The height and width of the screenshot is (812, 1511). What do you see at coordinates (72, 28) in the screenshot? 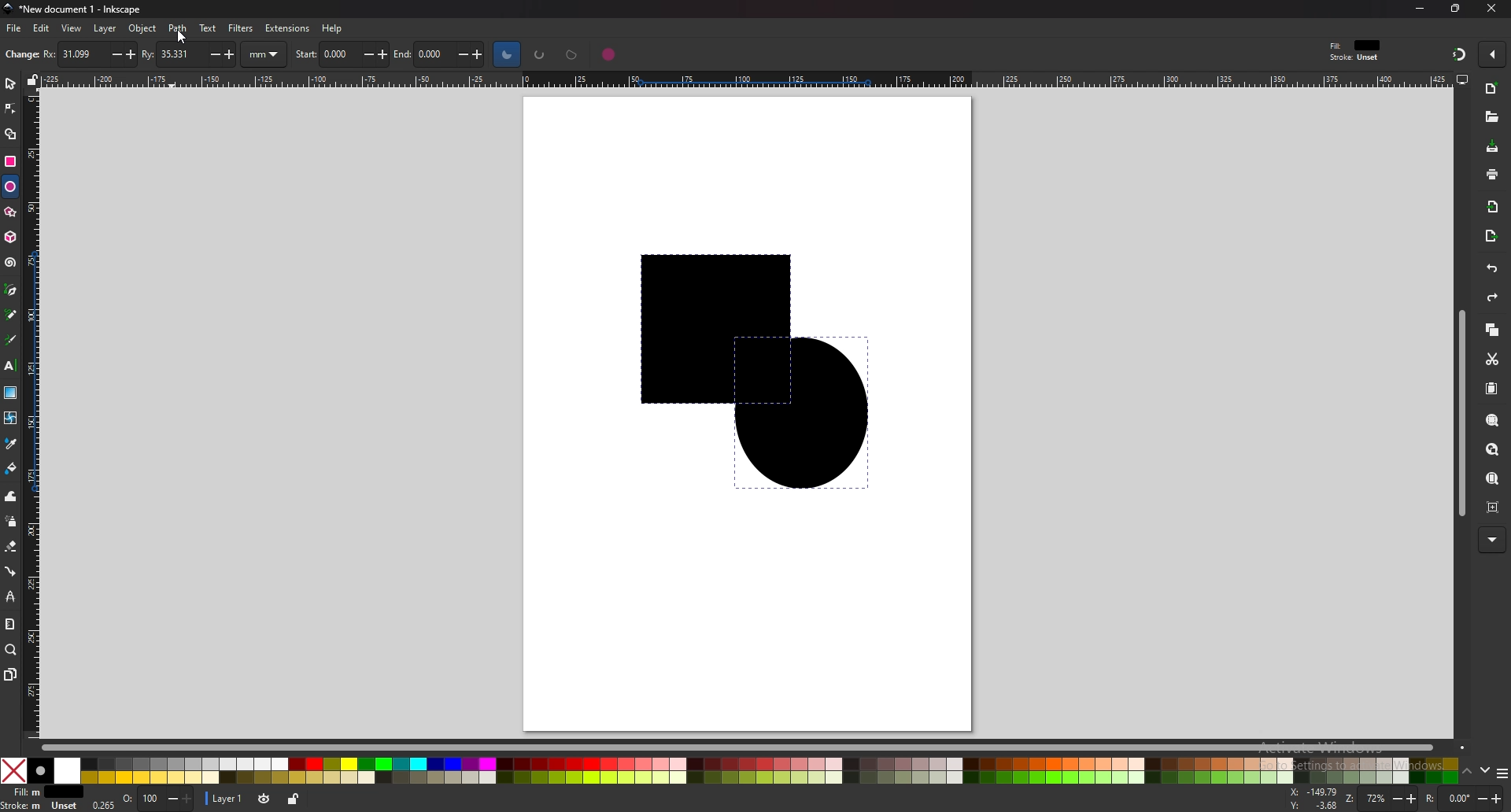
I see `view` at bounding box center [72, 28].